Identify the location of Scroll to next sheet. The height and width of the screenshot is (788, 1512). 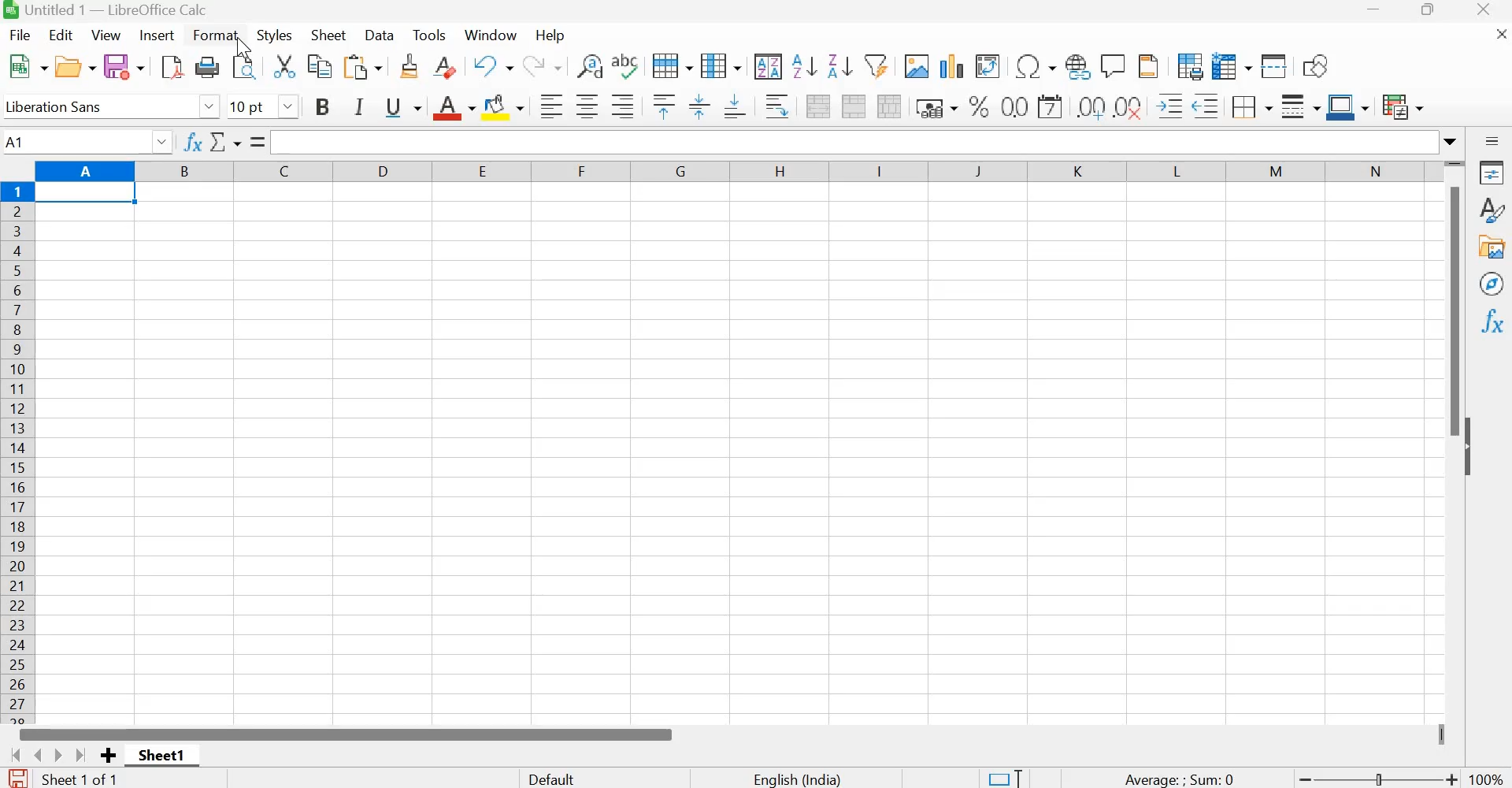
(60, 755).